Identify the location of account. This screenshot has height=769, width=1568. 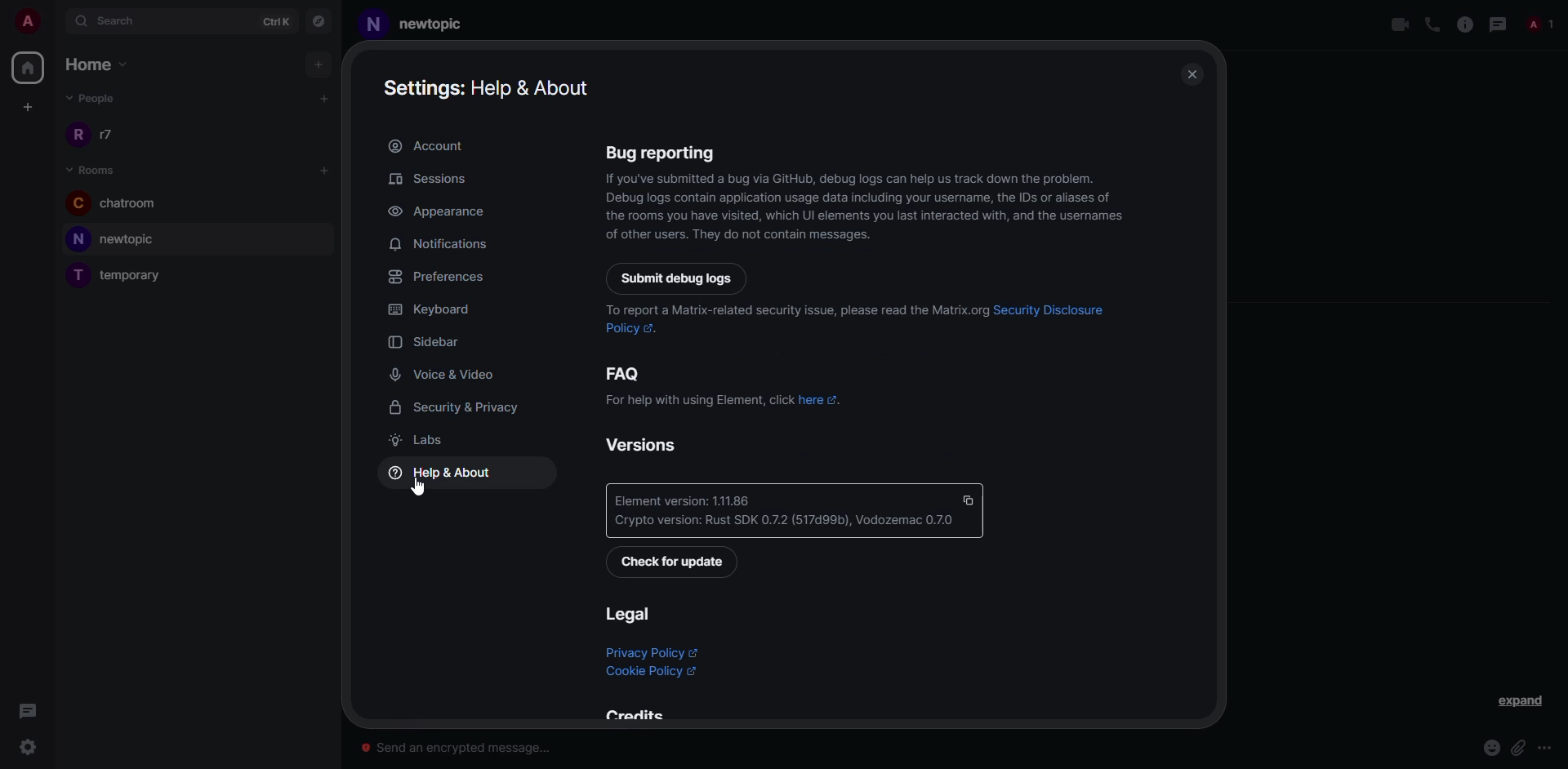
(431, 147).